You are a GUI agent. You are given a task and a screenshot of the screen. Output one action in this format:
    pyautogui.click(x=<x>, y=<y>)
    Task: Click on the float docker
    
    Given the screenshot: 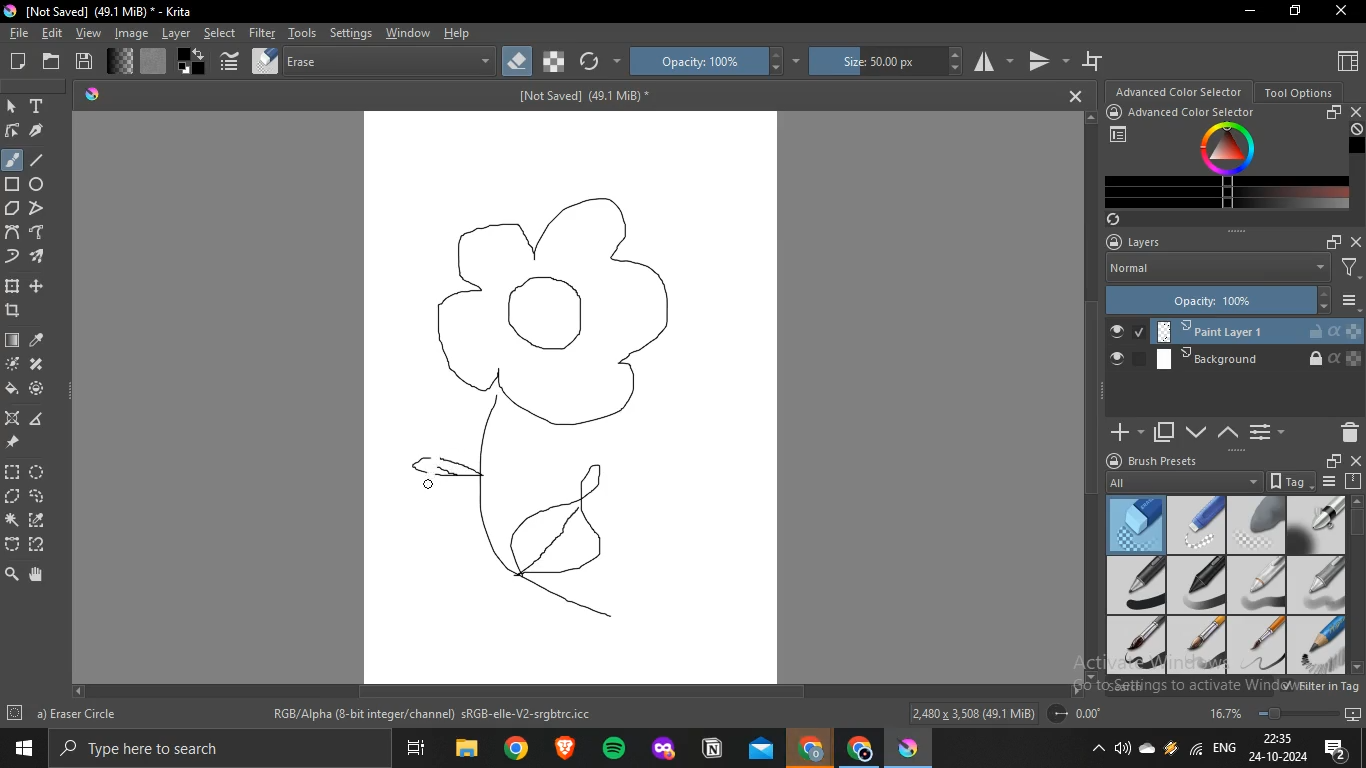 What is the action you would take?
    pyautogui.click(x=1334, y=113)
    